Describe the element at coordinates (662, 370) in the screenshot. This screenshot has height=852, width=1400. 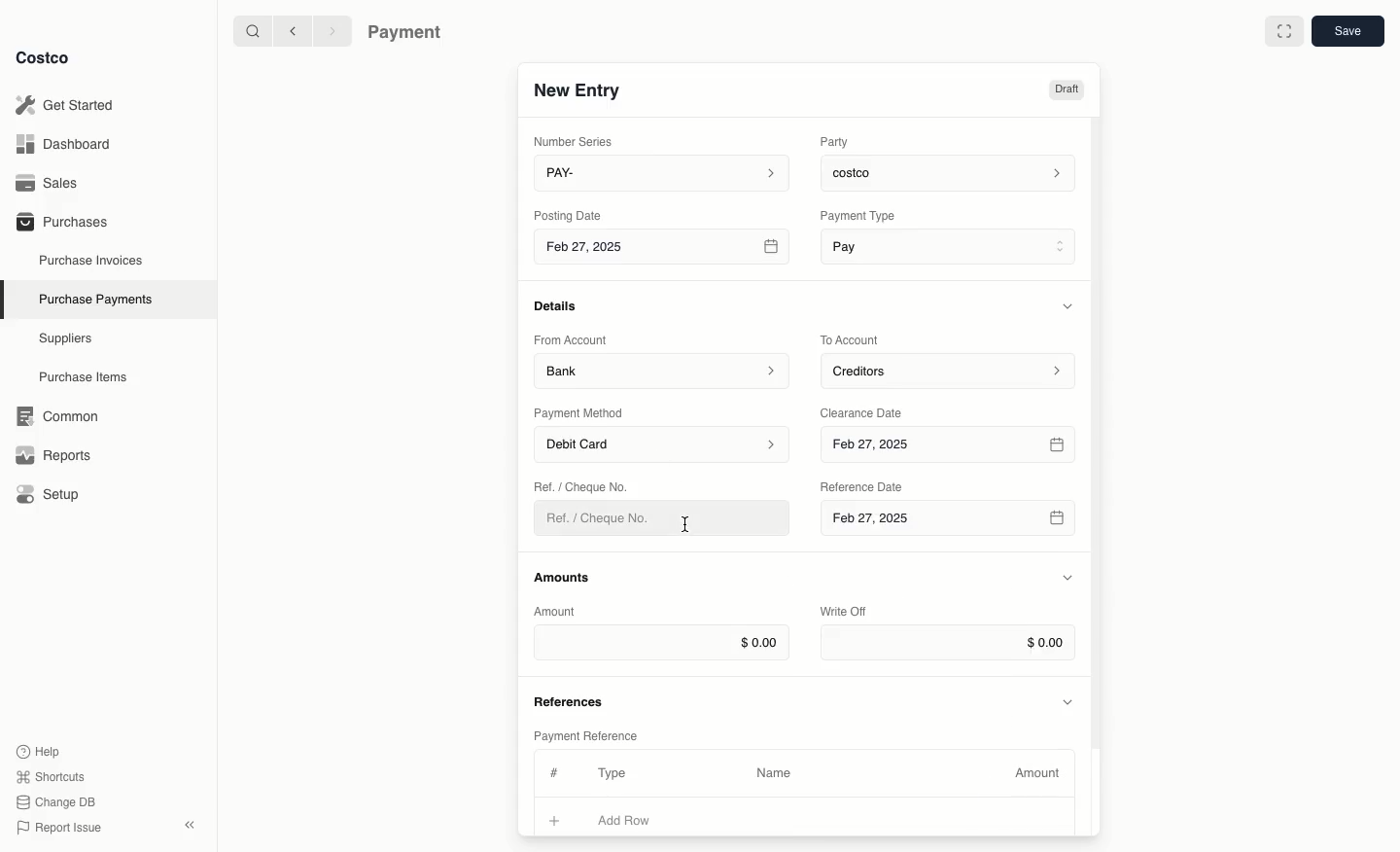
I see `Bank` at that location.